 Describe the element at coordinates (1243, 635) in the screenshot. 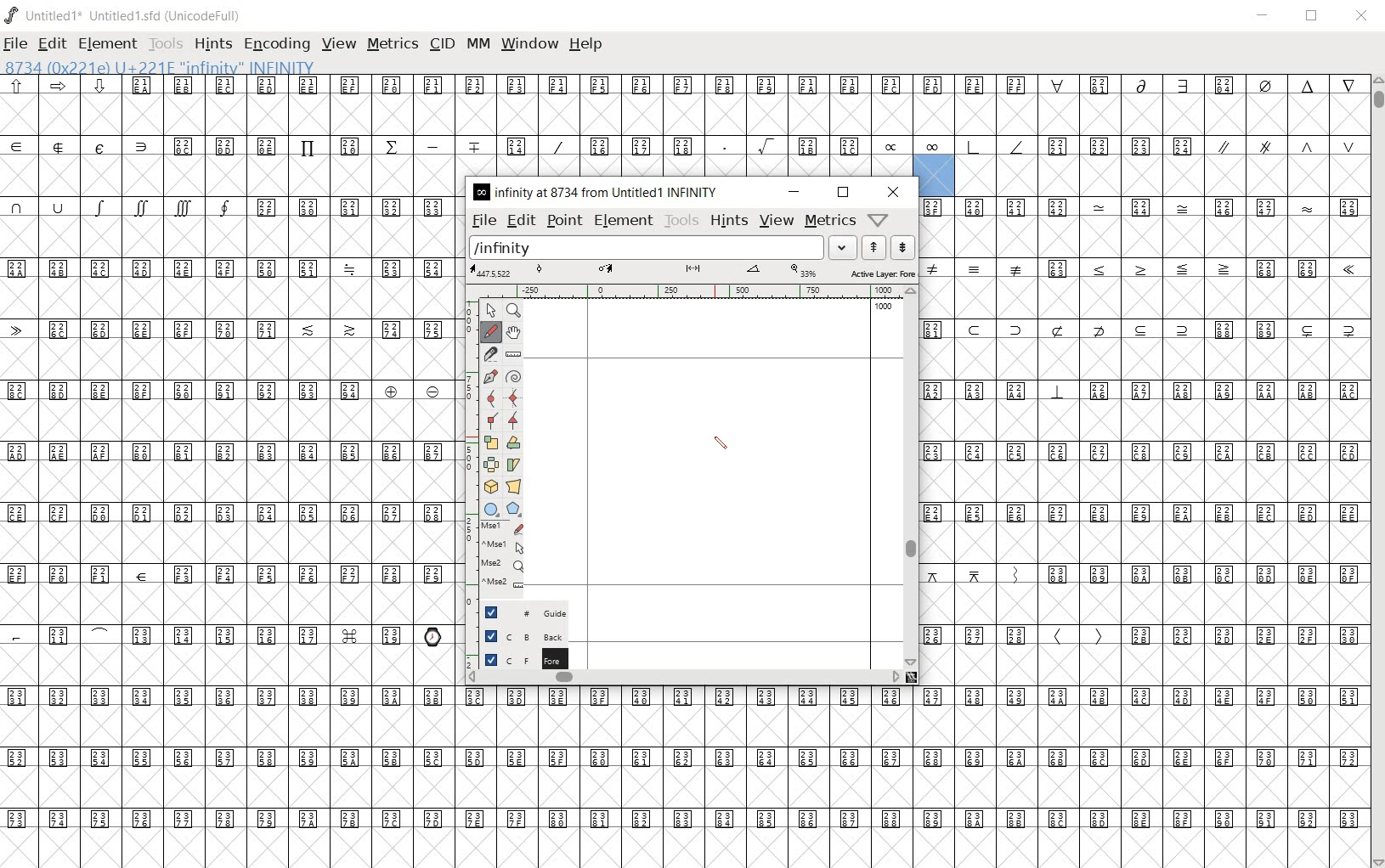

I see `Unicode code points` at that location.